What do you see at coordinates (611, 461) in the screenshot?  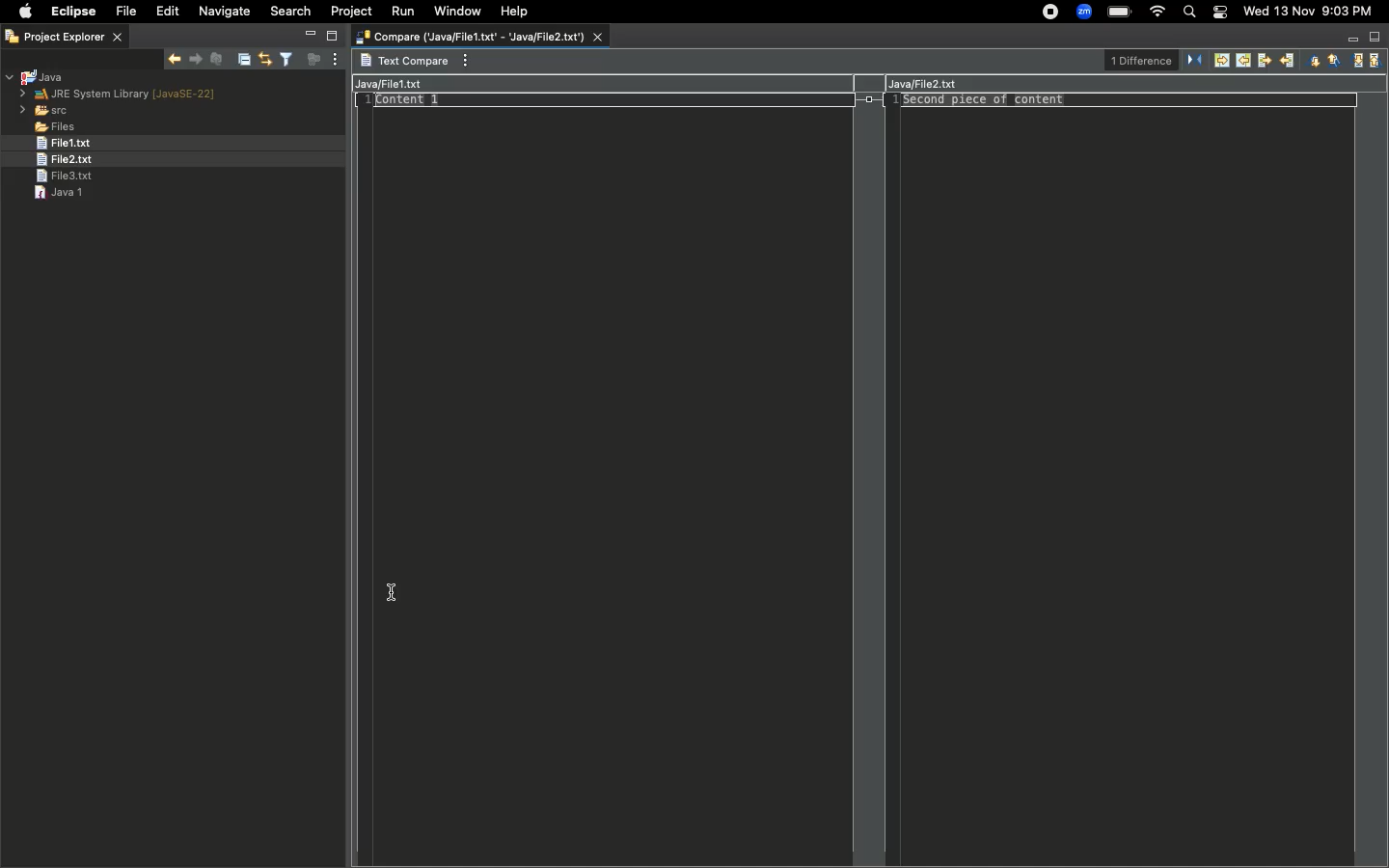 I see `coding area` at bounding box center [611, 461].